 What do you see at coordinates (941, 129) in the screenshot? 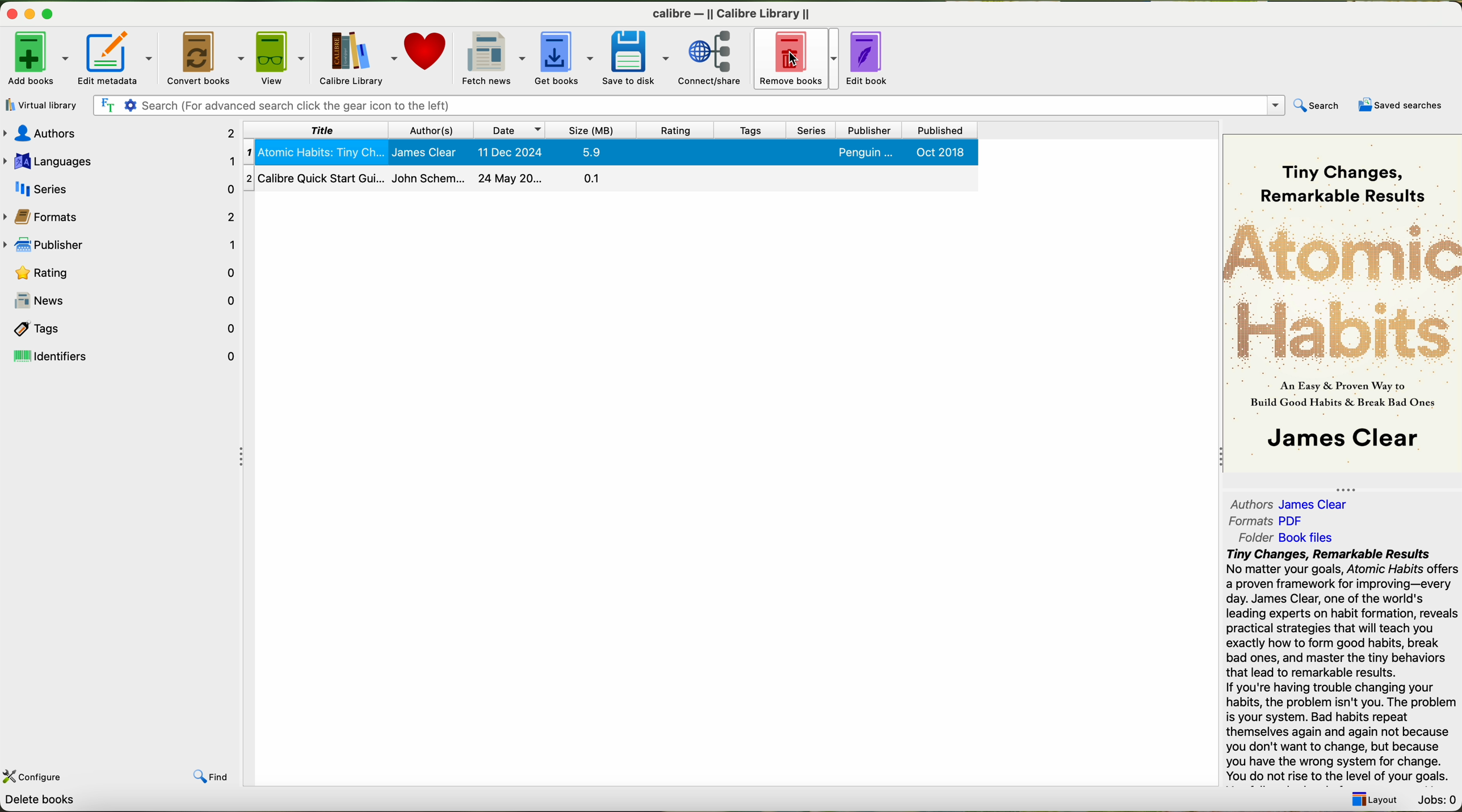
I see `published` at bounding box center [941, 129].